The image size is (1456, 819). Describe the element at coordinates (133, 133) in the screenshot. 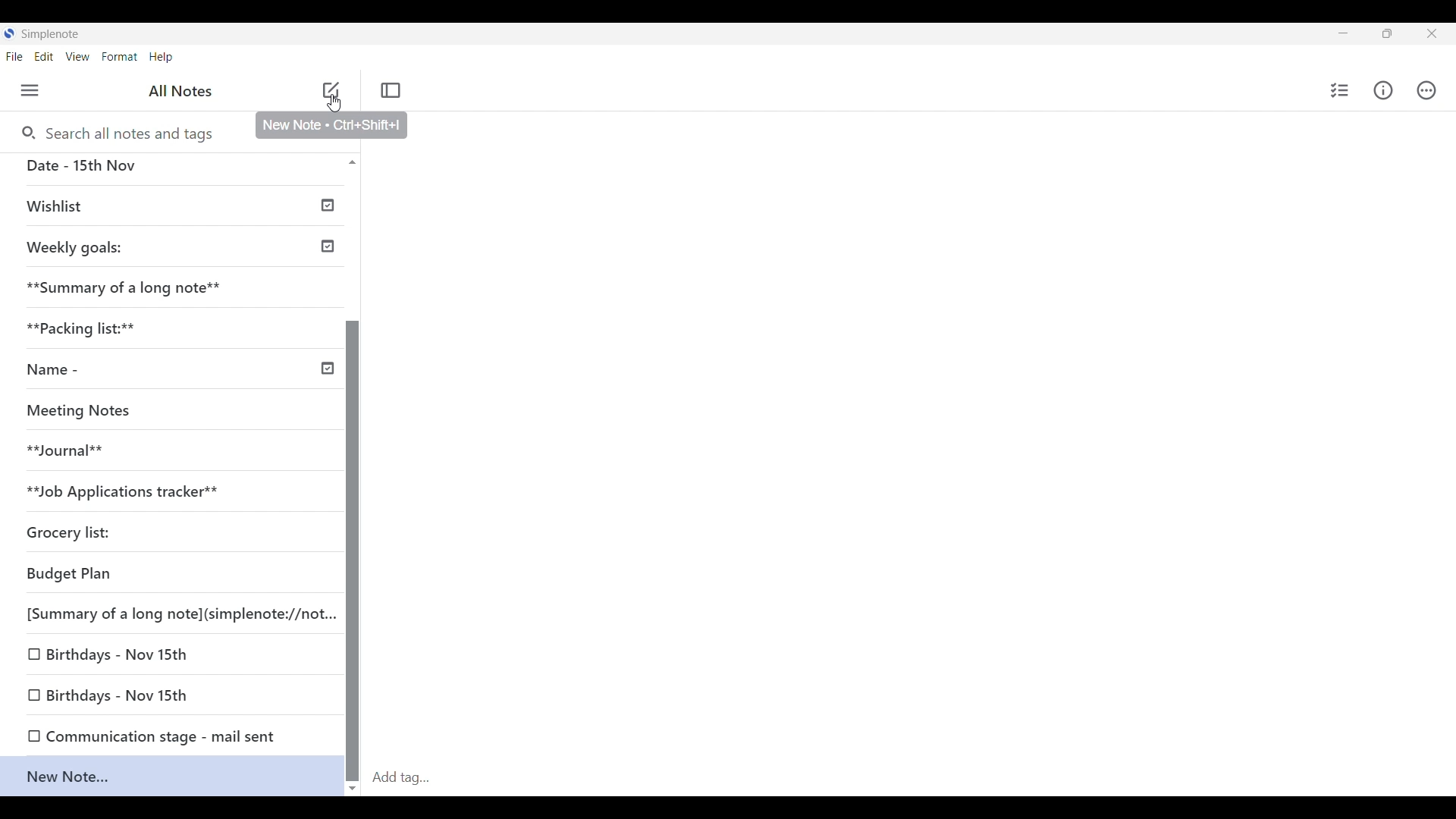

I see `Search notes` at that location.